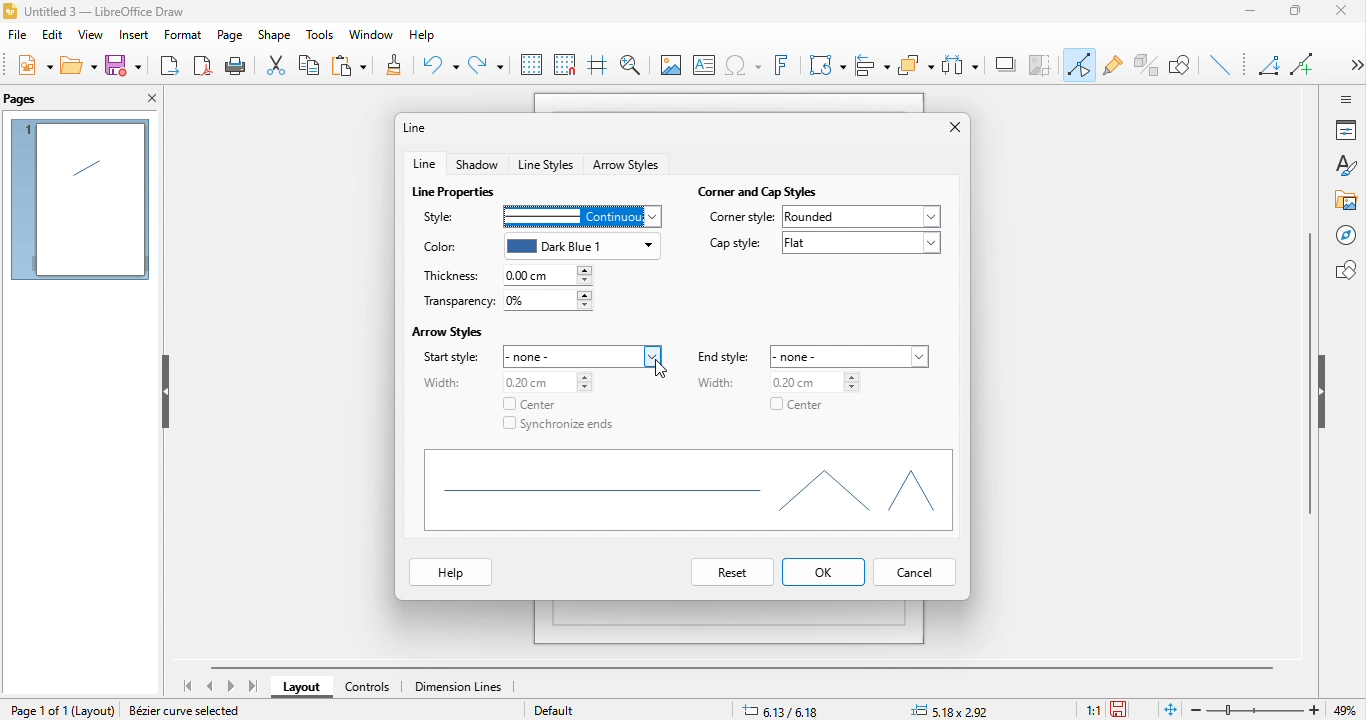  I want to click on fit to the current page, so click(1168, 709).